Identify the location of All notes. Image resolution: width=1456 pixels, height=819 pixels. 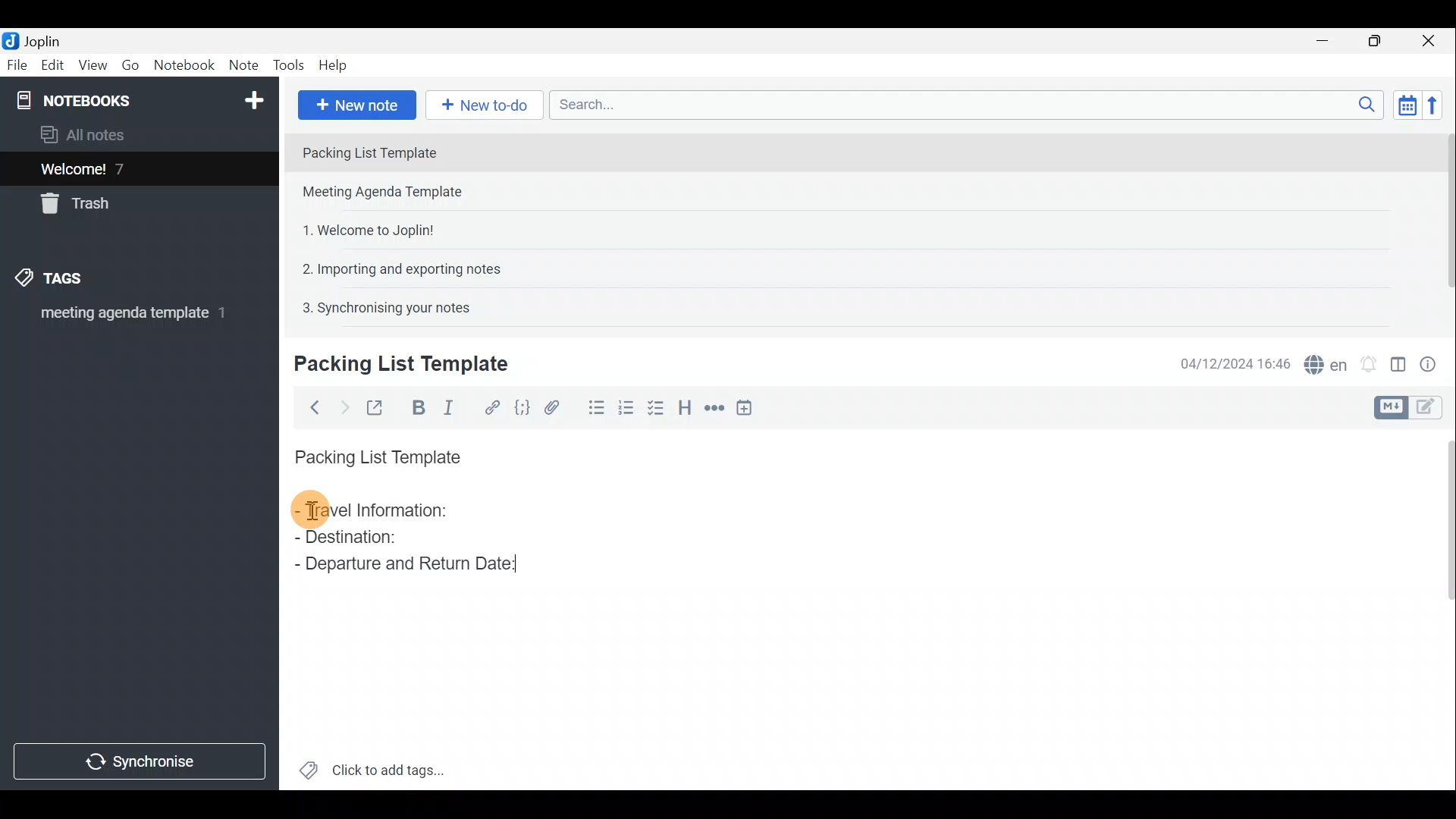
(88, 134).